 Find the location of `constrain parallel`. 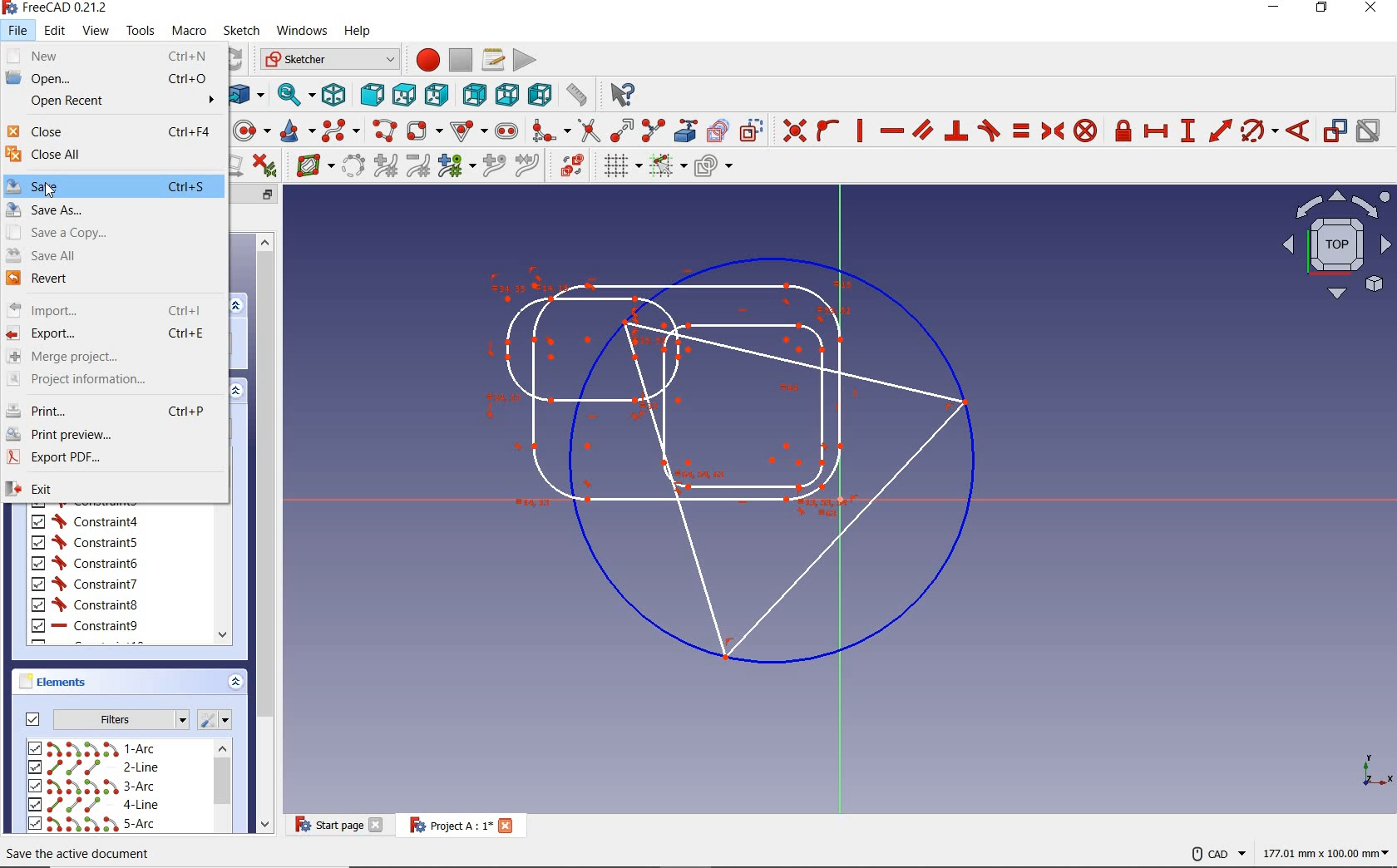

constrain parallel is located at coordinates (922, 131).